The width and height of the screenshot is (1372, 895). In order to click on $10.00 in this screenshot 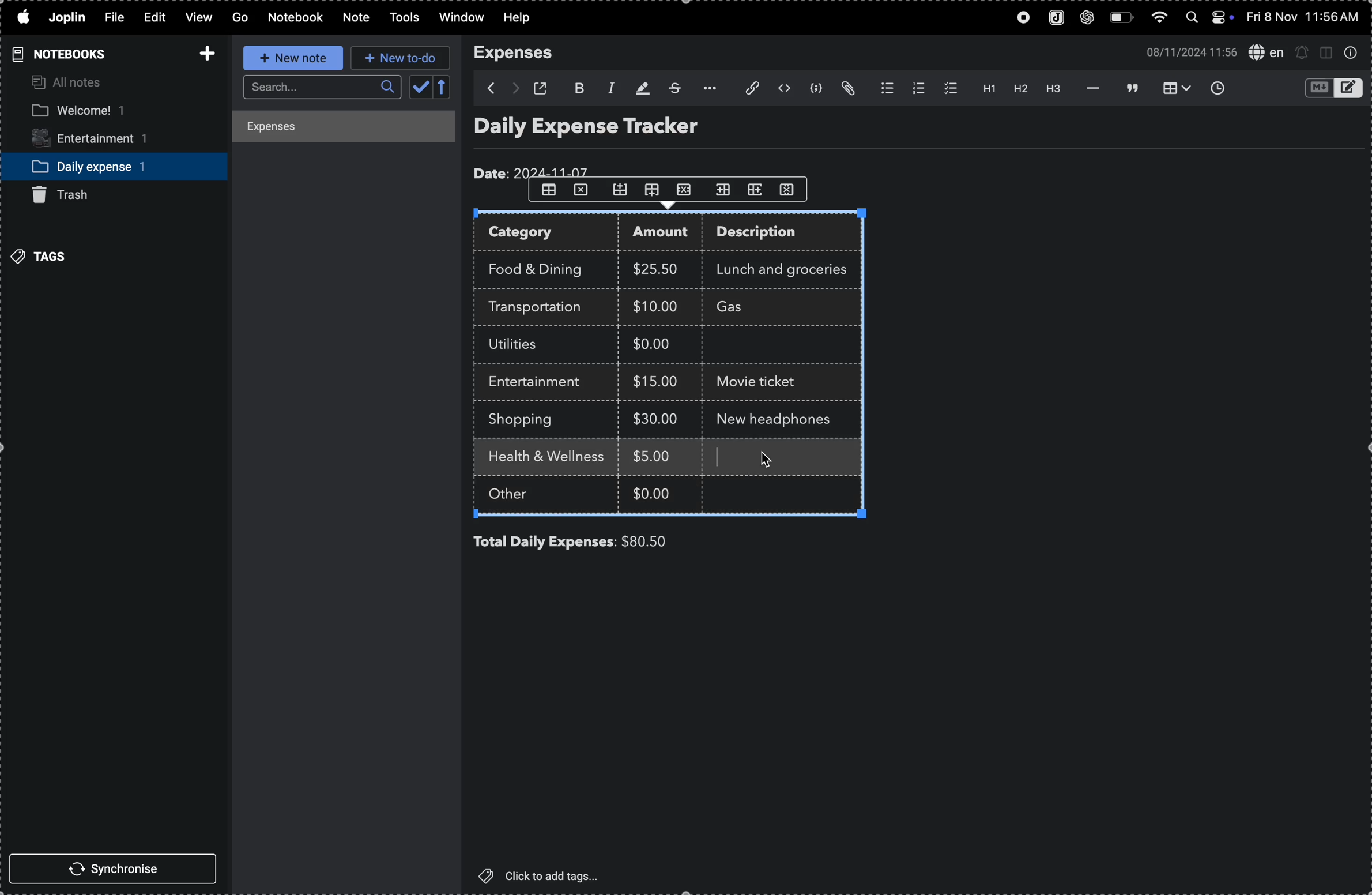, I will do `click(655, 306)`.